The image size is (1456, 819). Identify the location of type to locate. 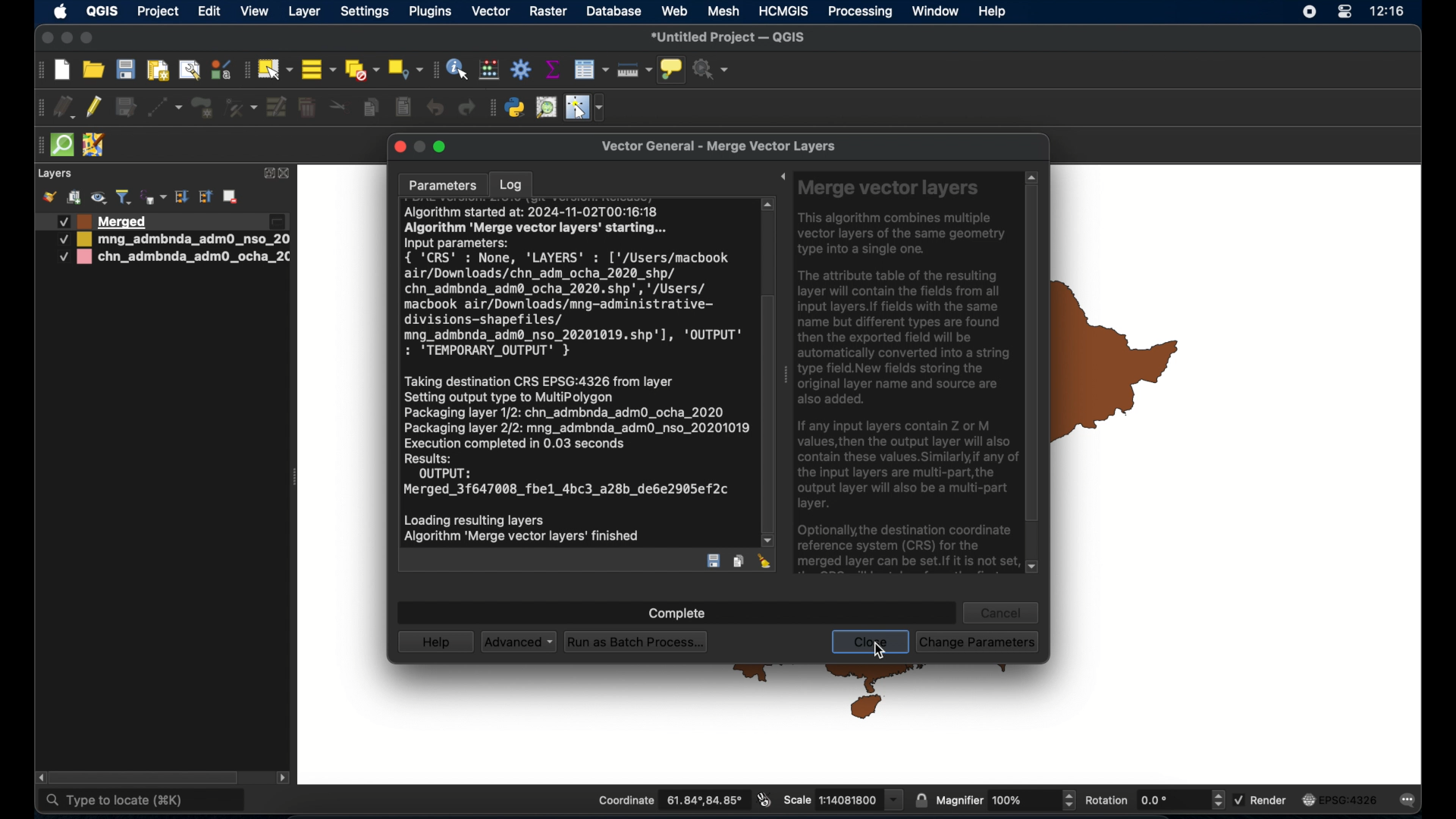
(143, 802).